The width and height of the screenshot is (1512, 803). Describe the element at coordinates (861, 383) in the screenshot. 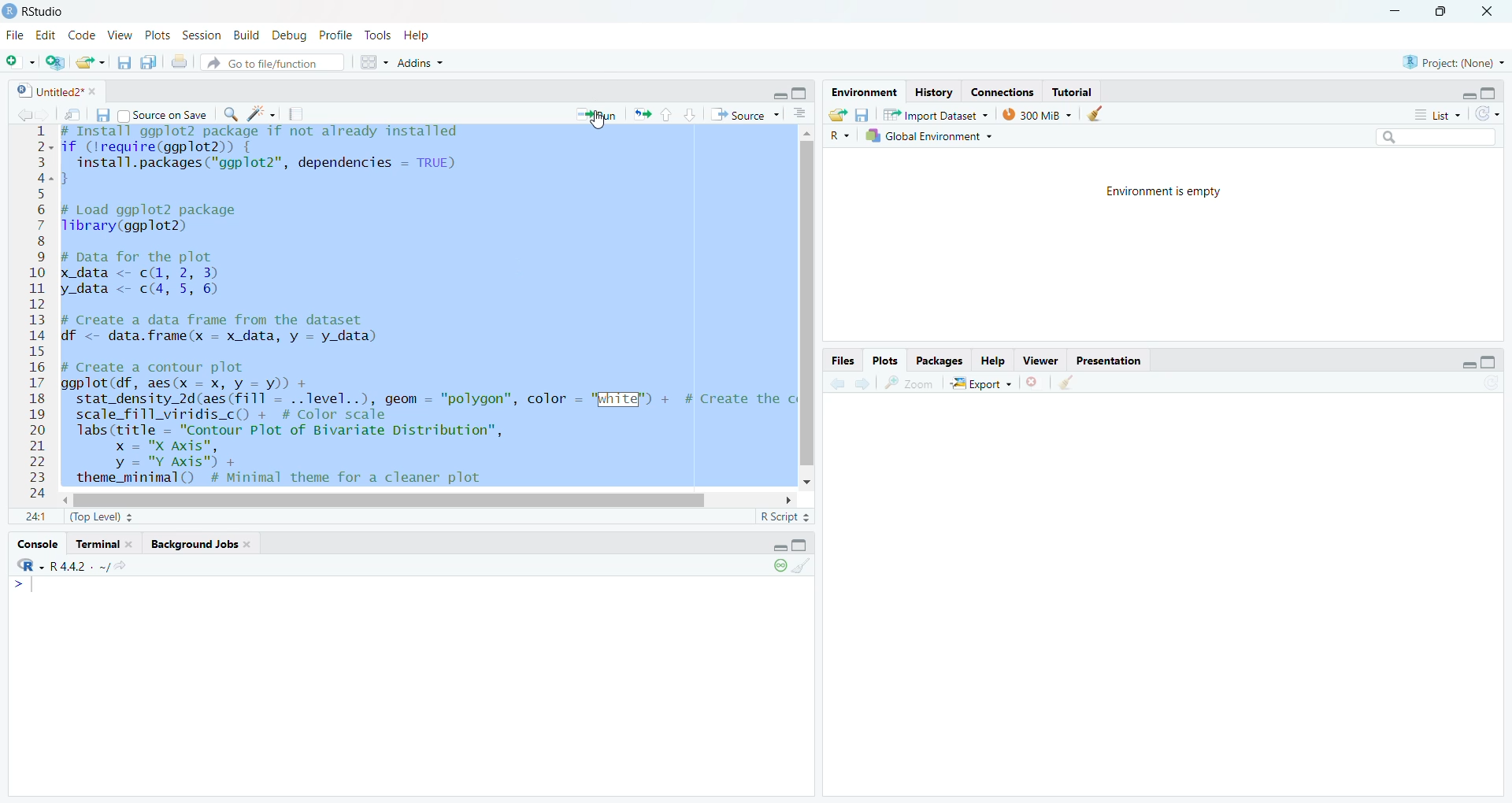

I see `go forward` at that location.